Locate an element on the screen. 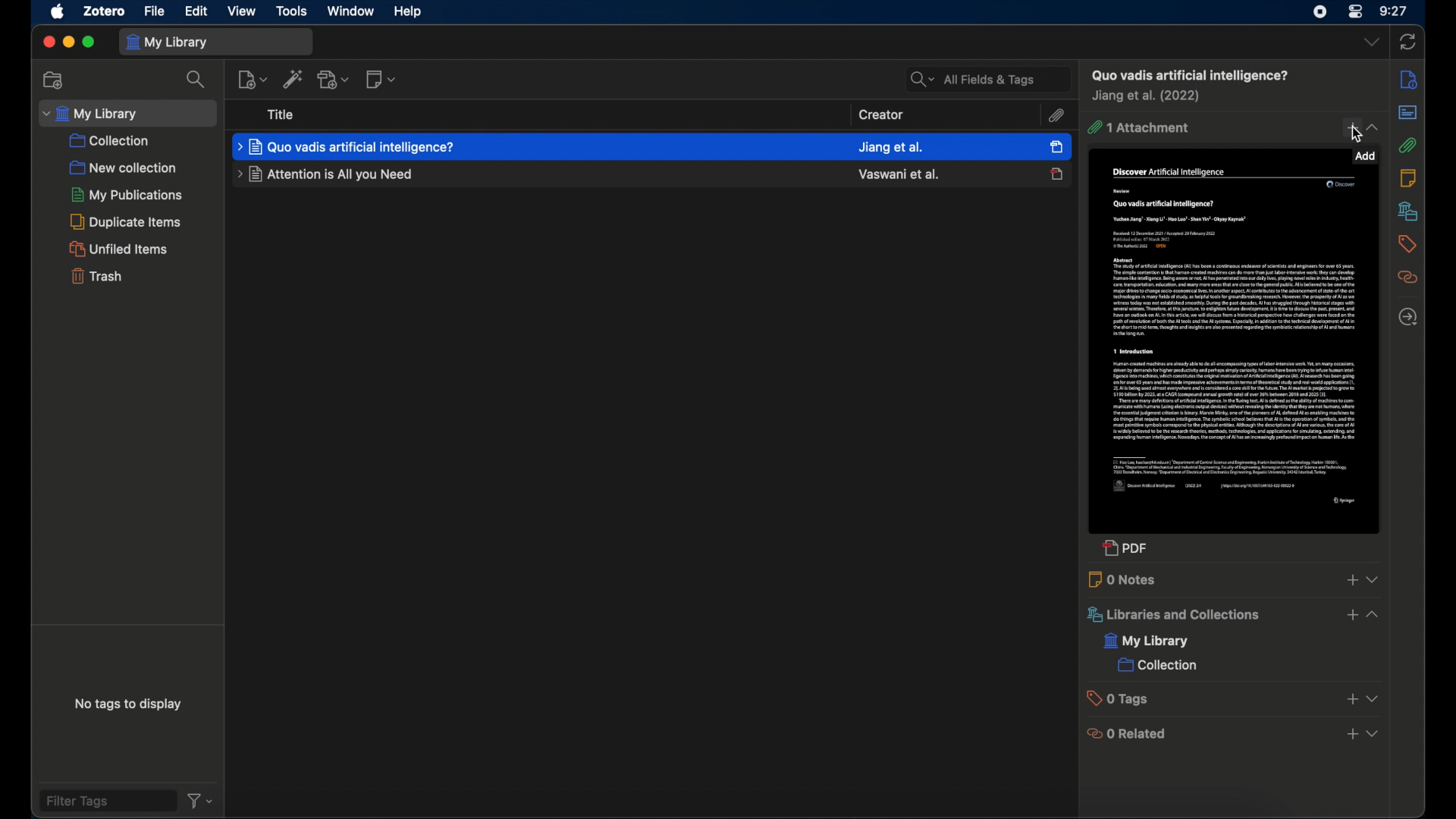 This screenshot has height=819, width=1456. add items by identifier is located at coordinates (293, 78).